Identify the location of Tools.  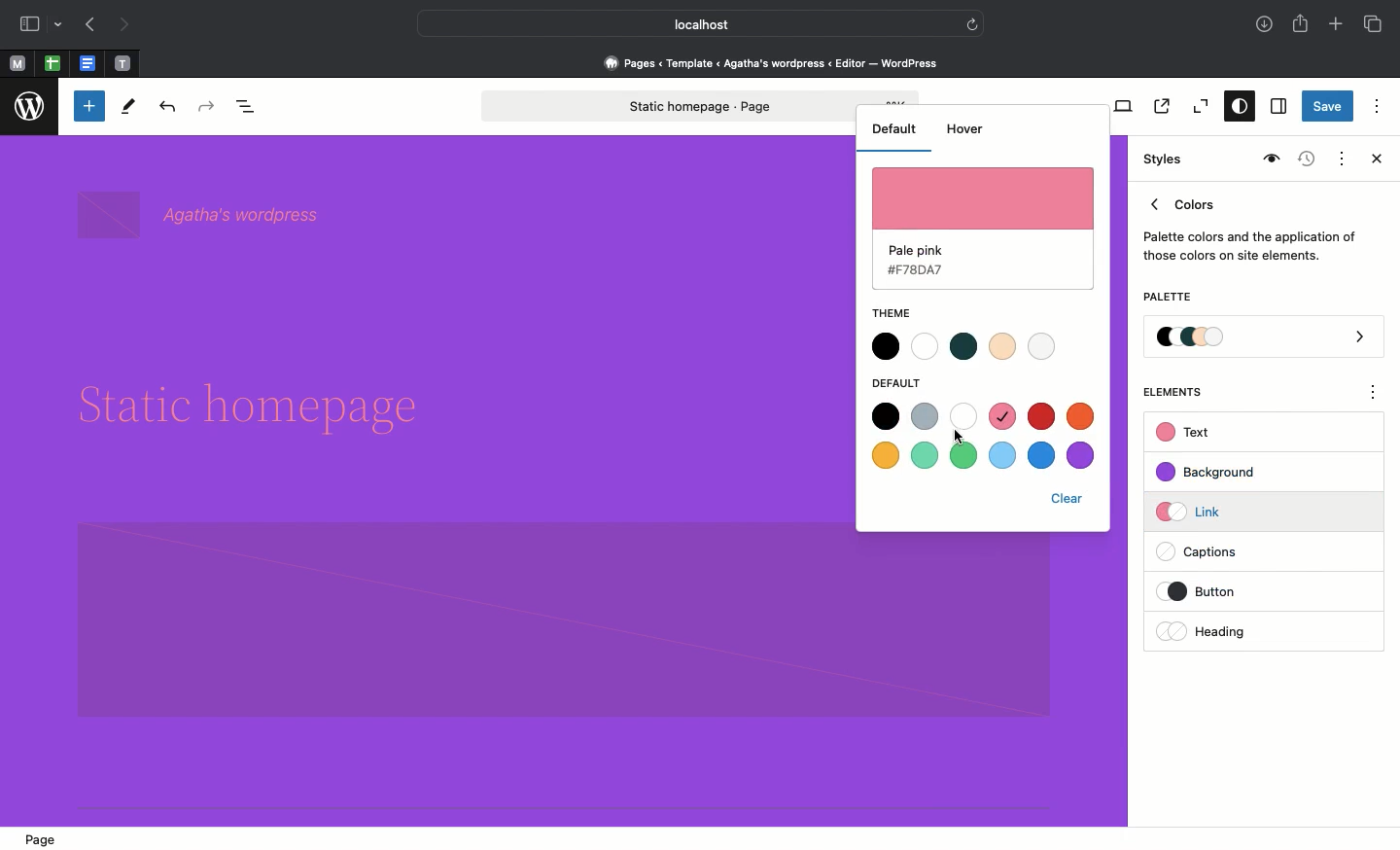
(129, 111).